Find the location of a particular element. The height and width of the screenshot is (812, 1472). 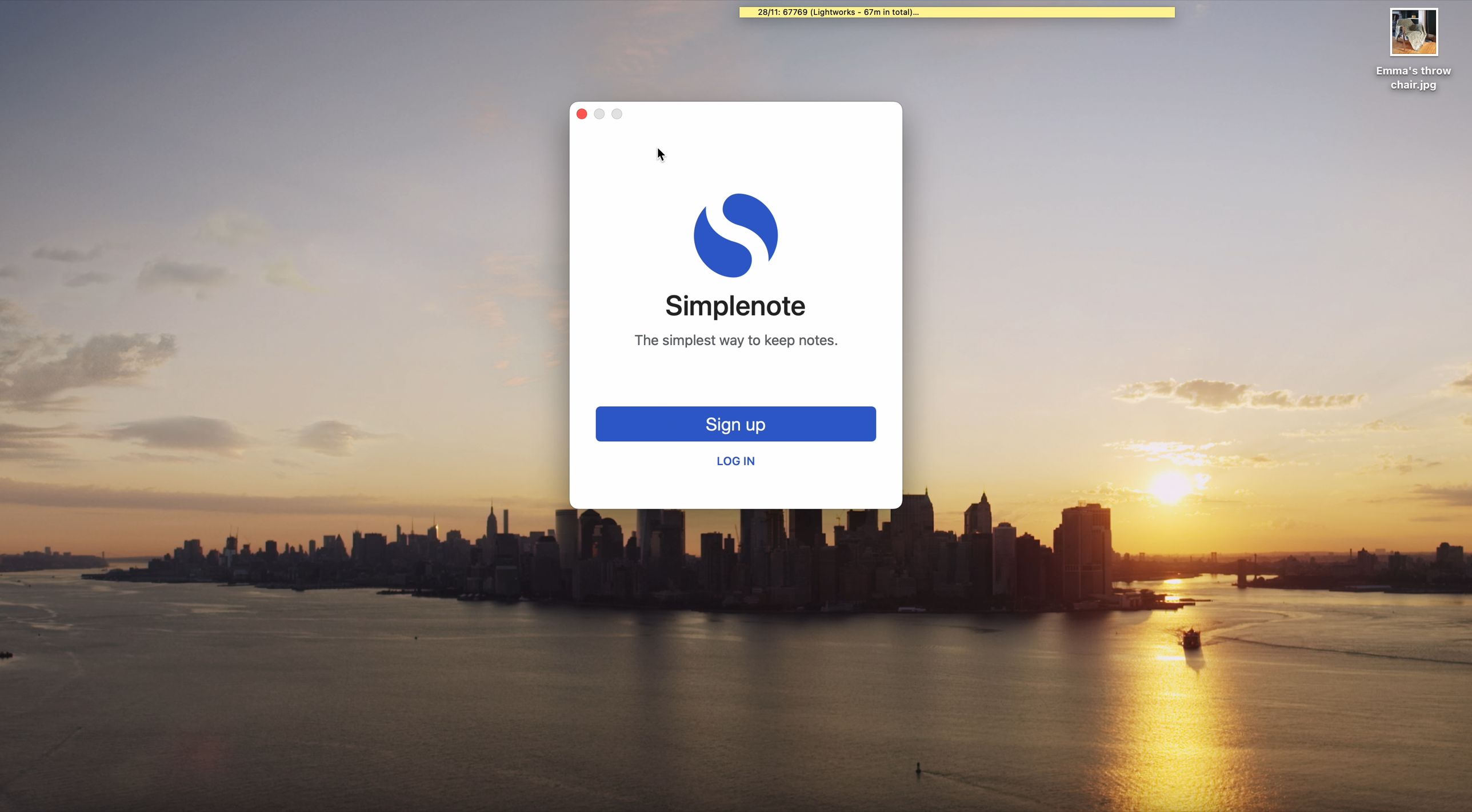

Simplenote logo is located at coordinates (738, 237).